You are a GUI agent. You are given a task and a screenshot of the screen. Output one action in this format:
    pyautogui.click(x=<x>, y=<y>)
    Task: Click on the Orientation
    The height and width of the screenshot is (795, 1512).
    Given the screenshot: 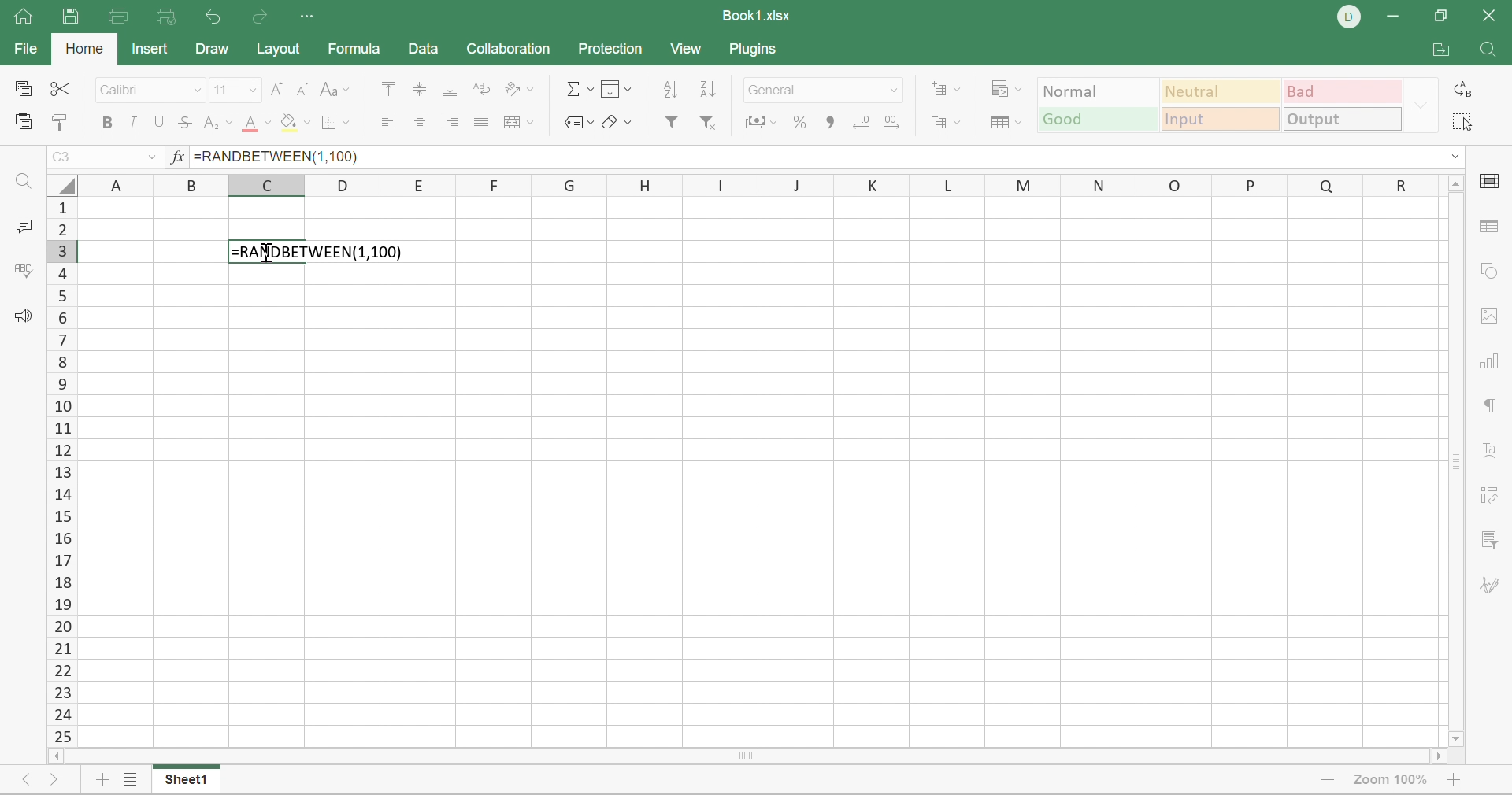 What is the action you would take?
    pyautogui.click(x=518, y=87)
    